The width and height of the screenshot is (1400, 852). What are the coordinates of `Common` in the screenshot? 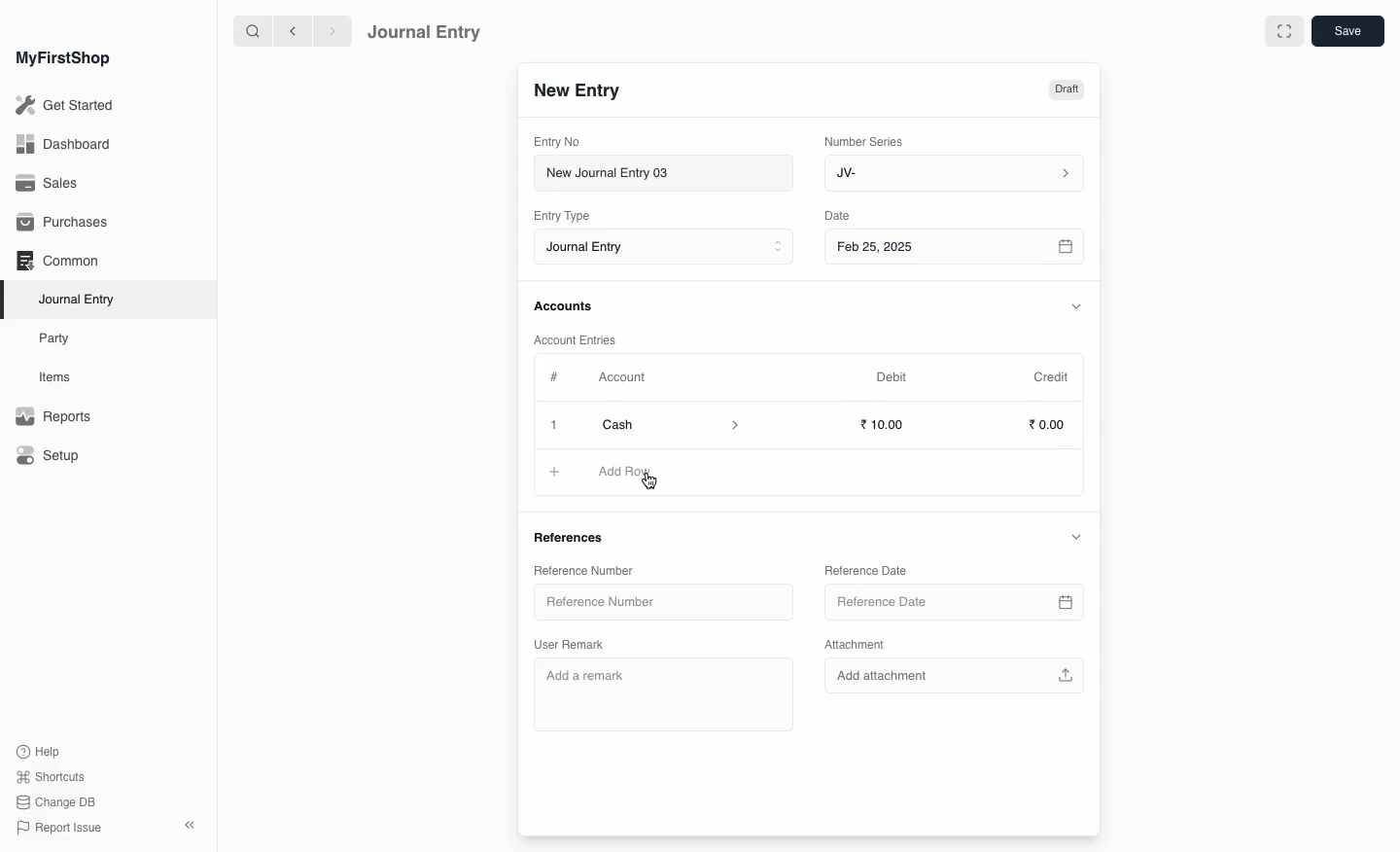 It's located at (56, 261).